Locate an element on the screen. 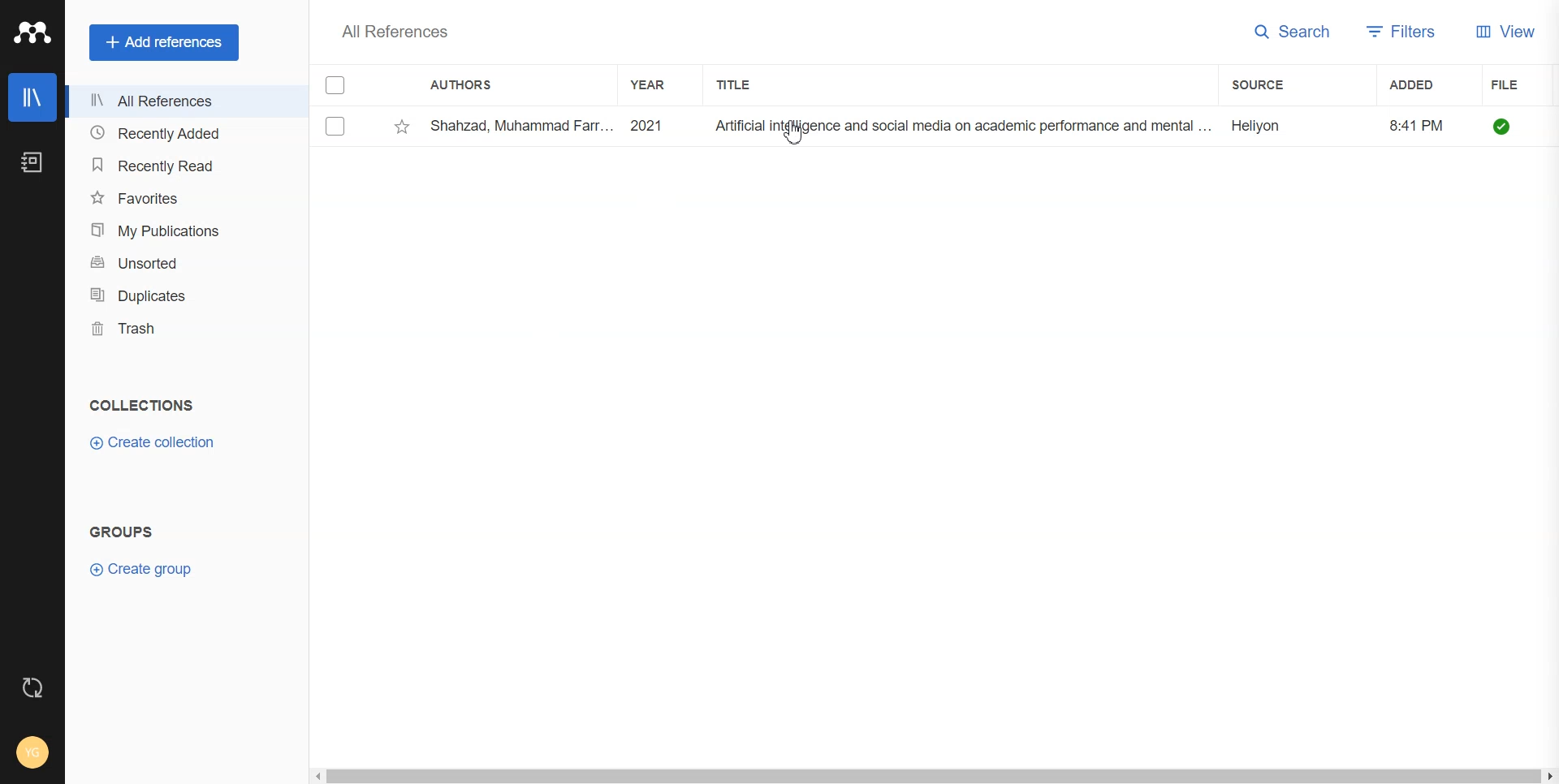  My Publication is located at coordinates (182, 230).